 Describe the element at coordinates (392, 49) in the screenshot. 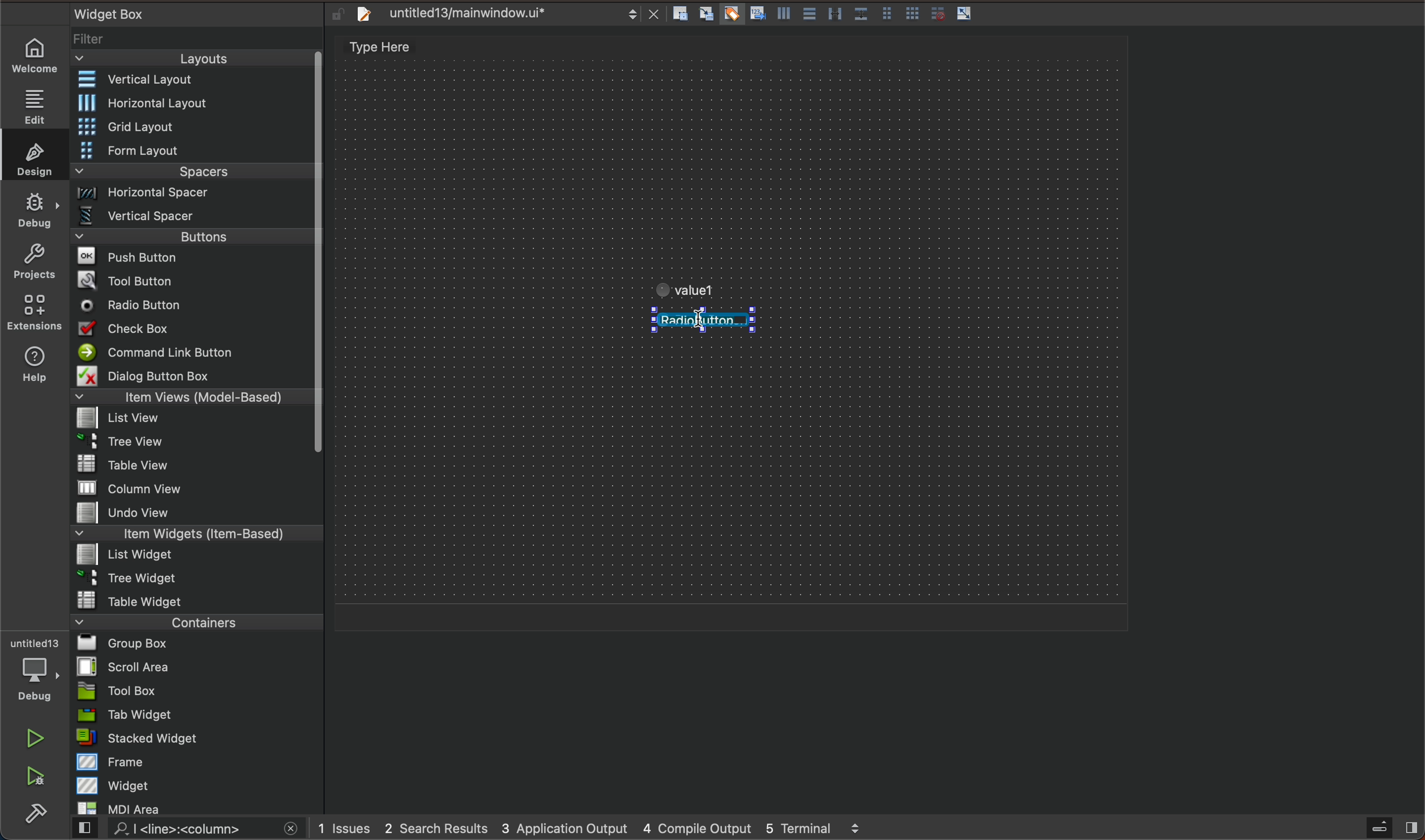

I see `type here` at that location.